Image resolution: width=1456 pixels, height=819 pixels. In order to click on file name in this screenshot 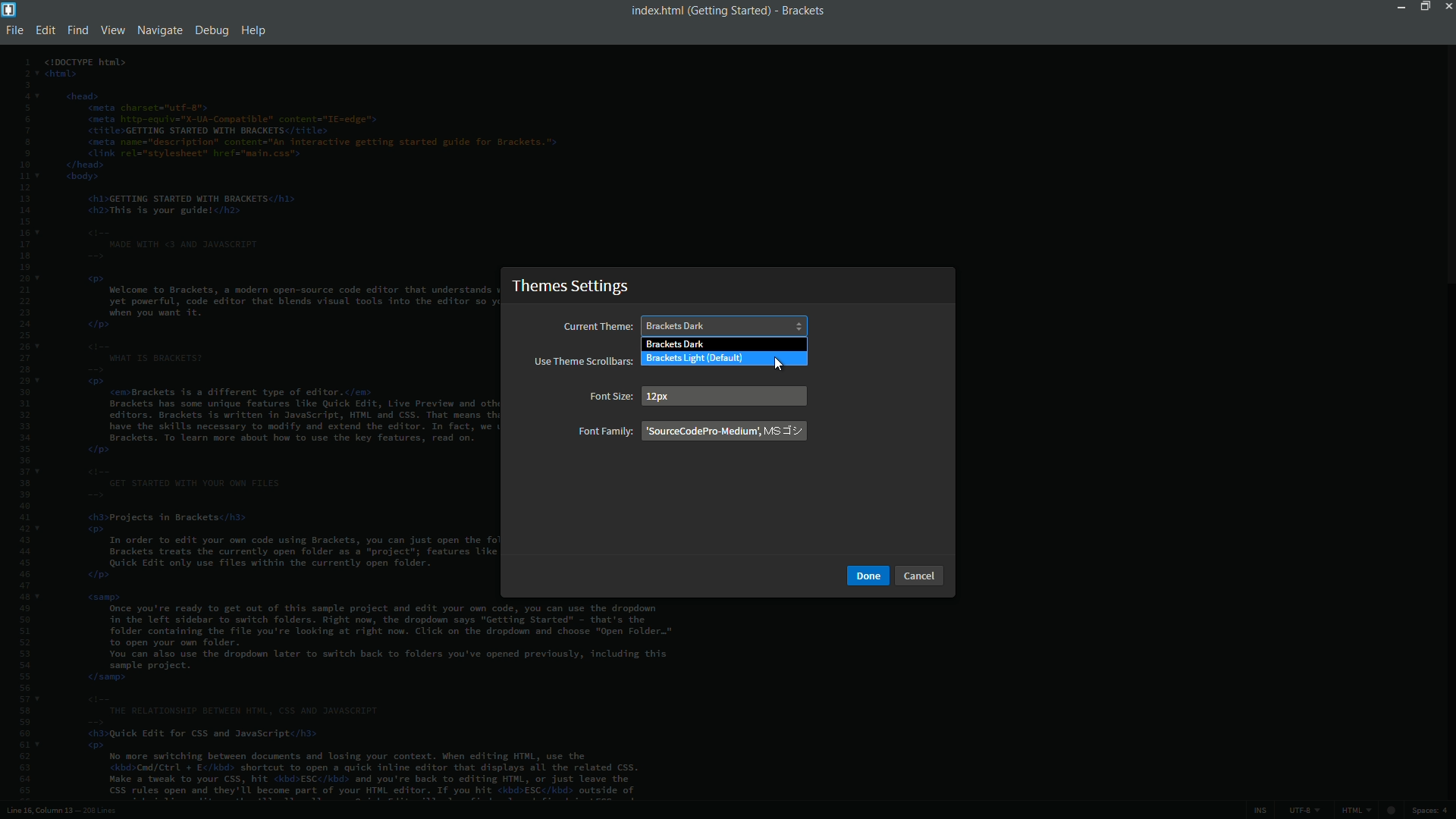, I will do `click(654, 11)`.